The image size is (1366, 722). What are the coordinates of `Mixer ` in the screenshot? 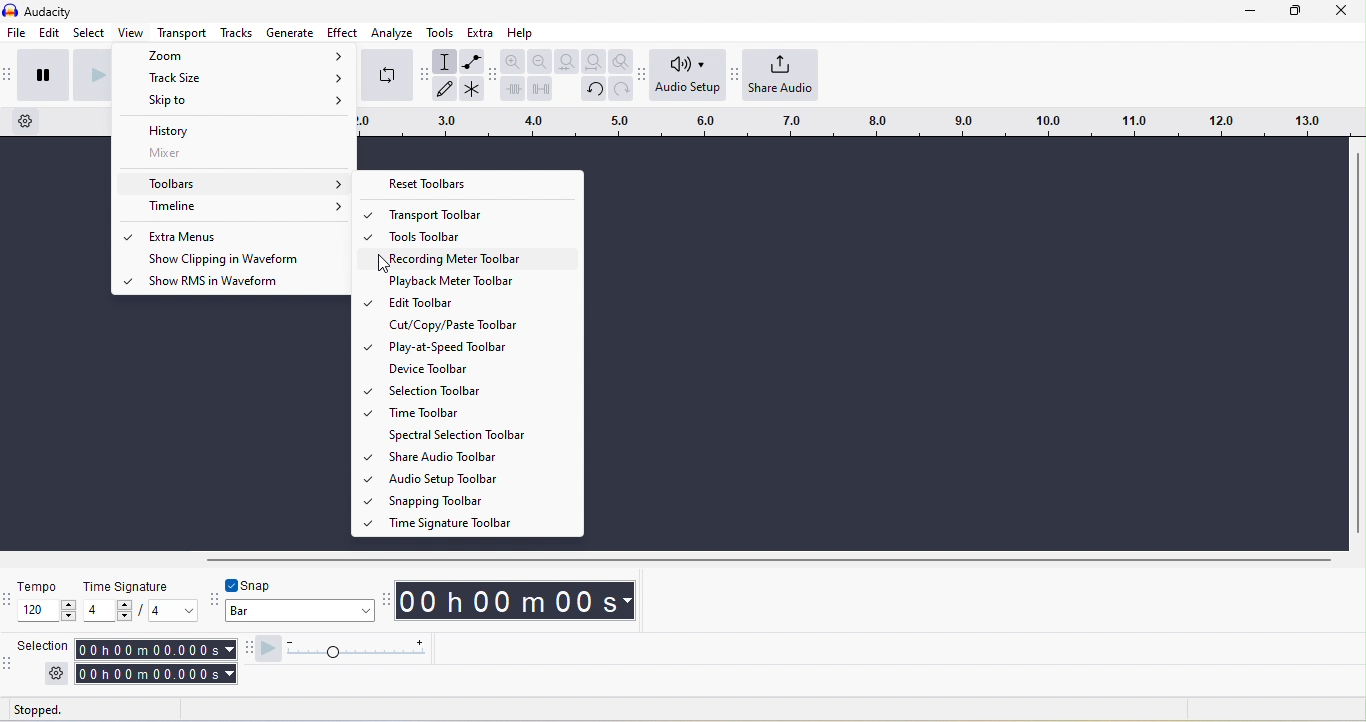 It's located at (234, 153).